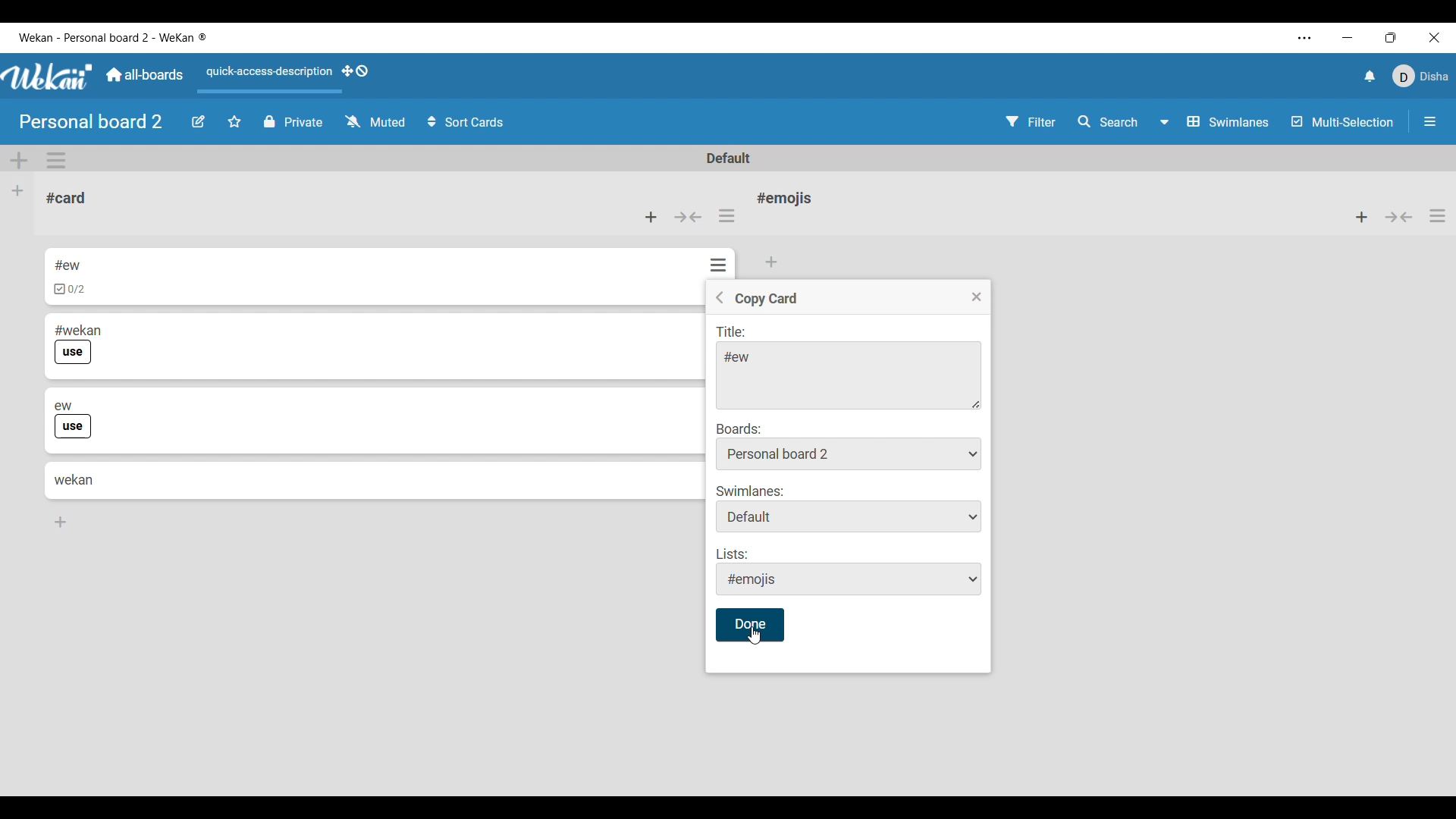  Describe the element at coordinates (719, 297) in the screenshot. I see `Goback` at that location.